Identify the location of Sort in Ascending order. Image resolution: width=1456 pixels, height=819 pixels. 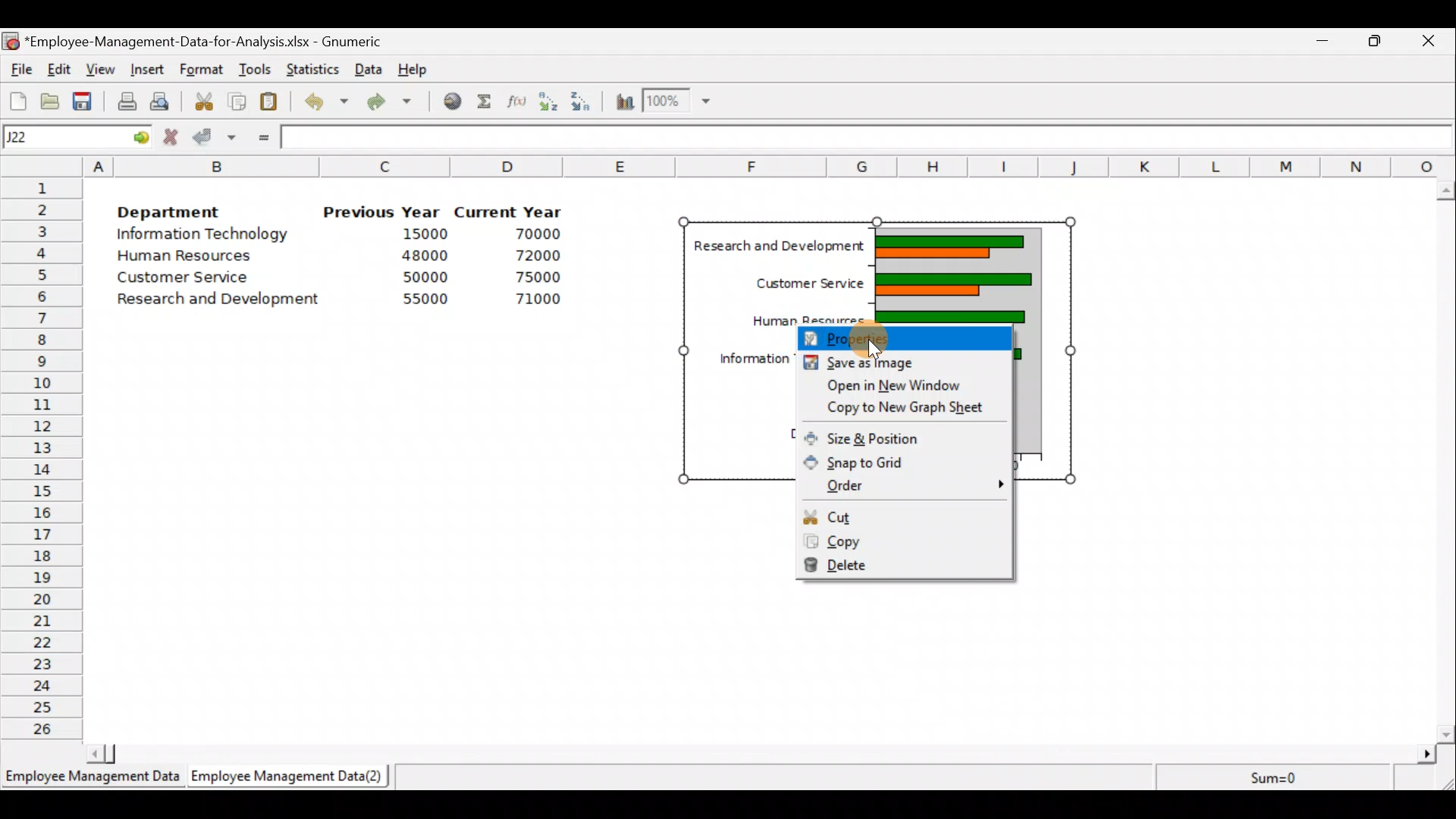
(548, 101).